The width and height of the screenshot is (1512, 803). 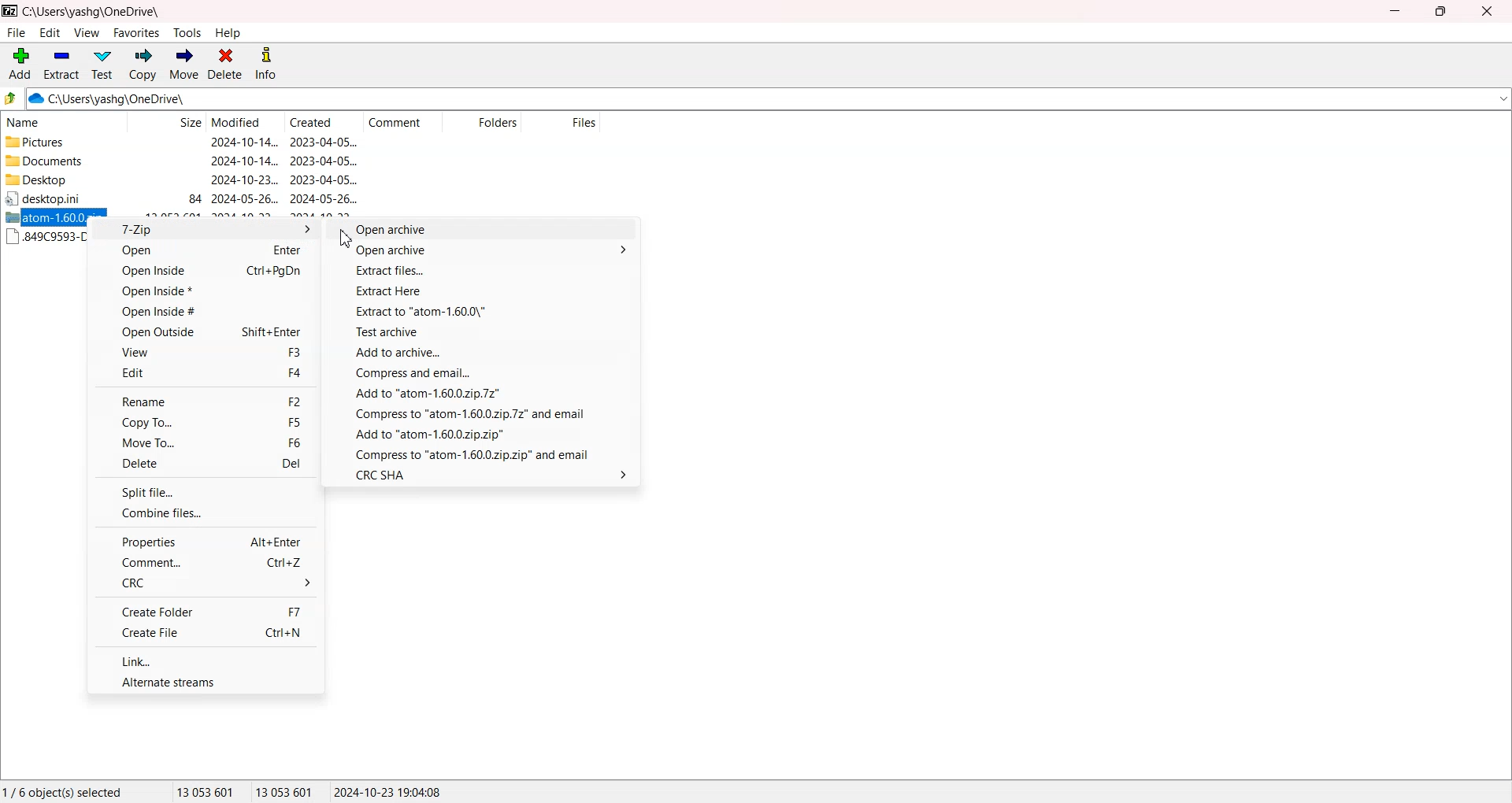 I want to click on Favorites, so click(x=137, y=32).